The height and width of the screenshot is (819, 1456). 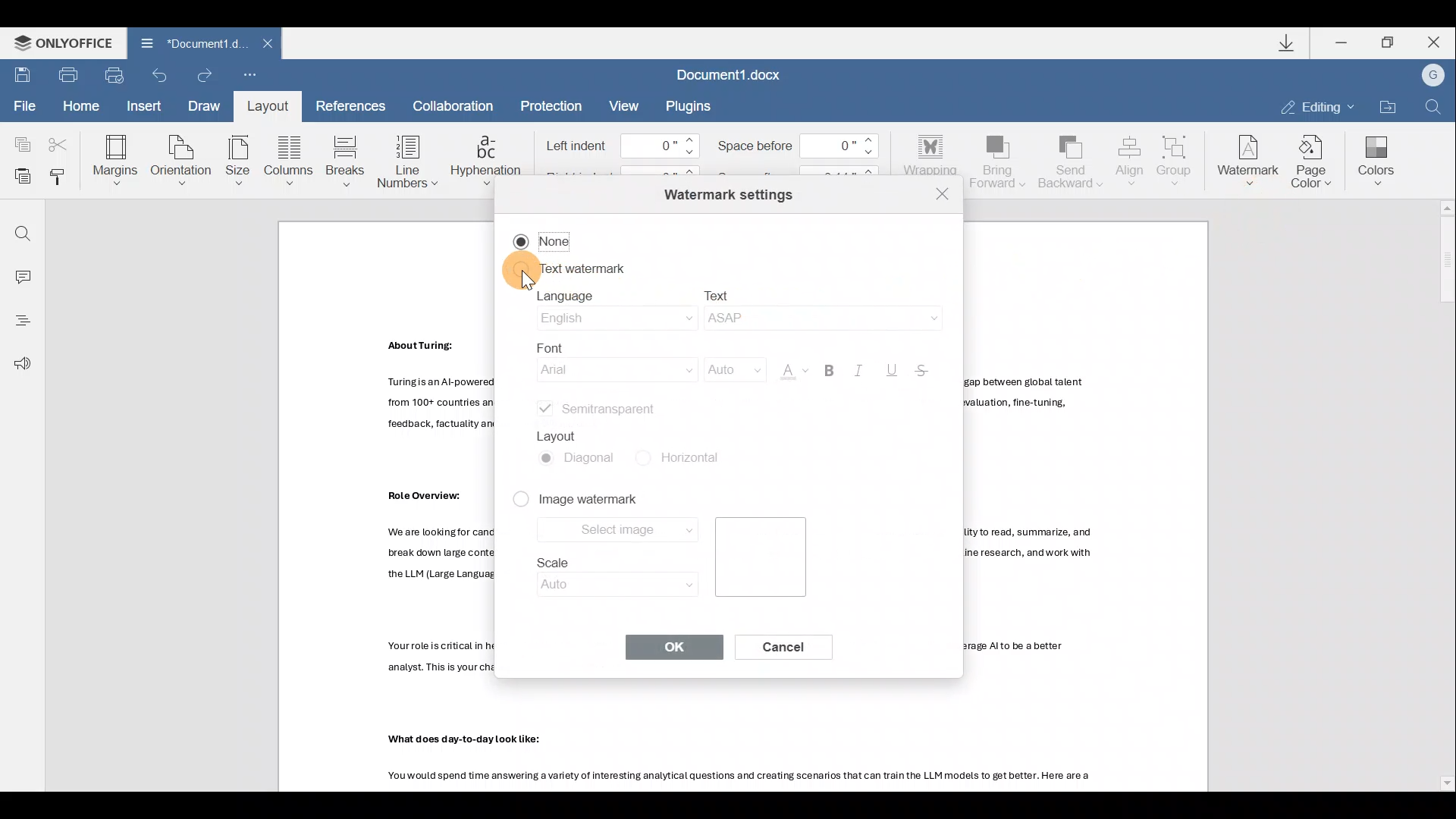 I want to click on Insert, so click(x=146, y=108).